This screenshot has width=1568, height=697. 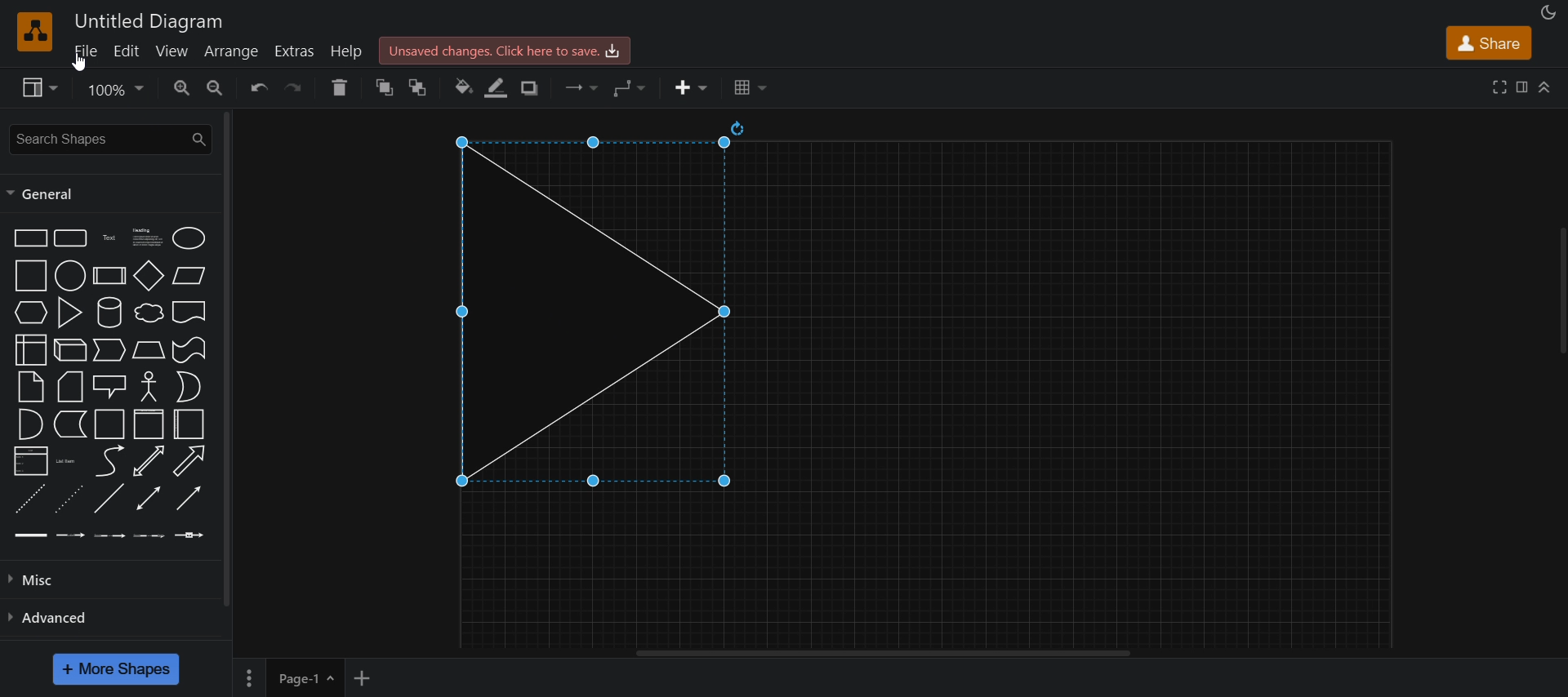 I want to click on line, so click(x=109, y=497).